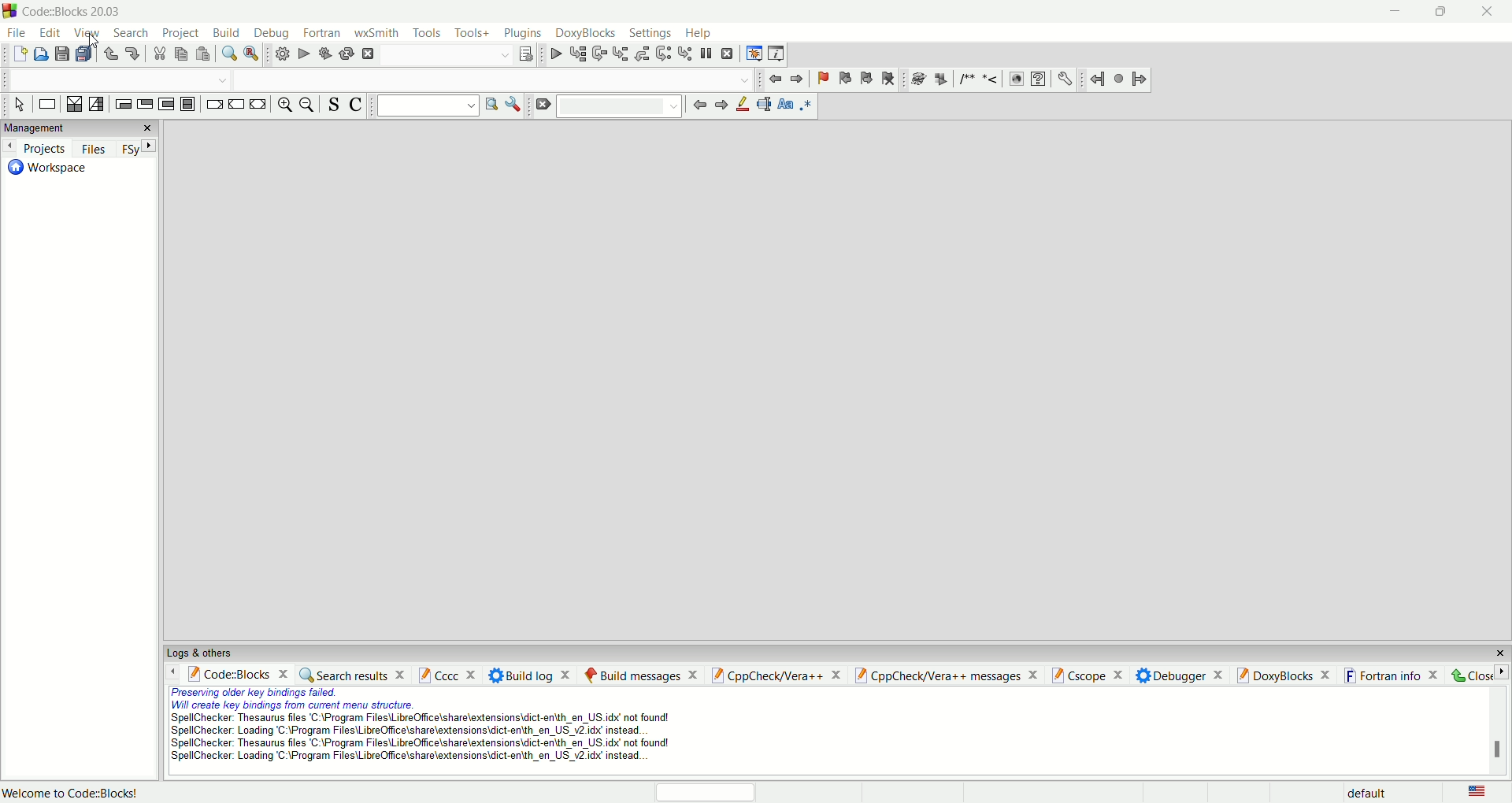 The image size is (1512, 803). I want to click on build, so click(281, 55).